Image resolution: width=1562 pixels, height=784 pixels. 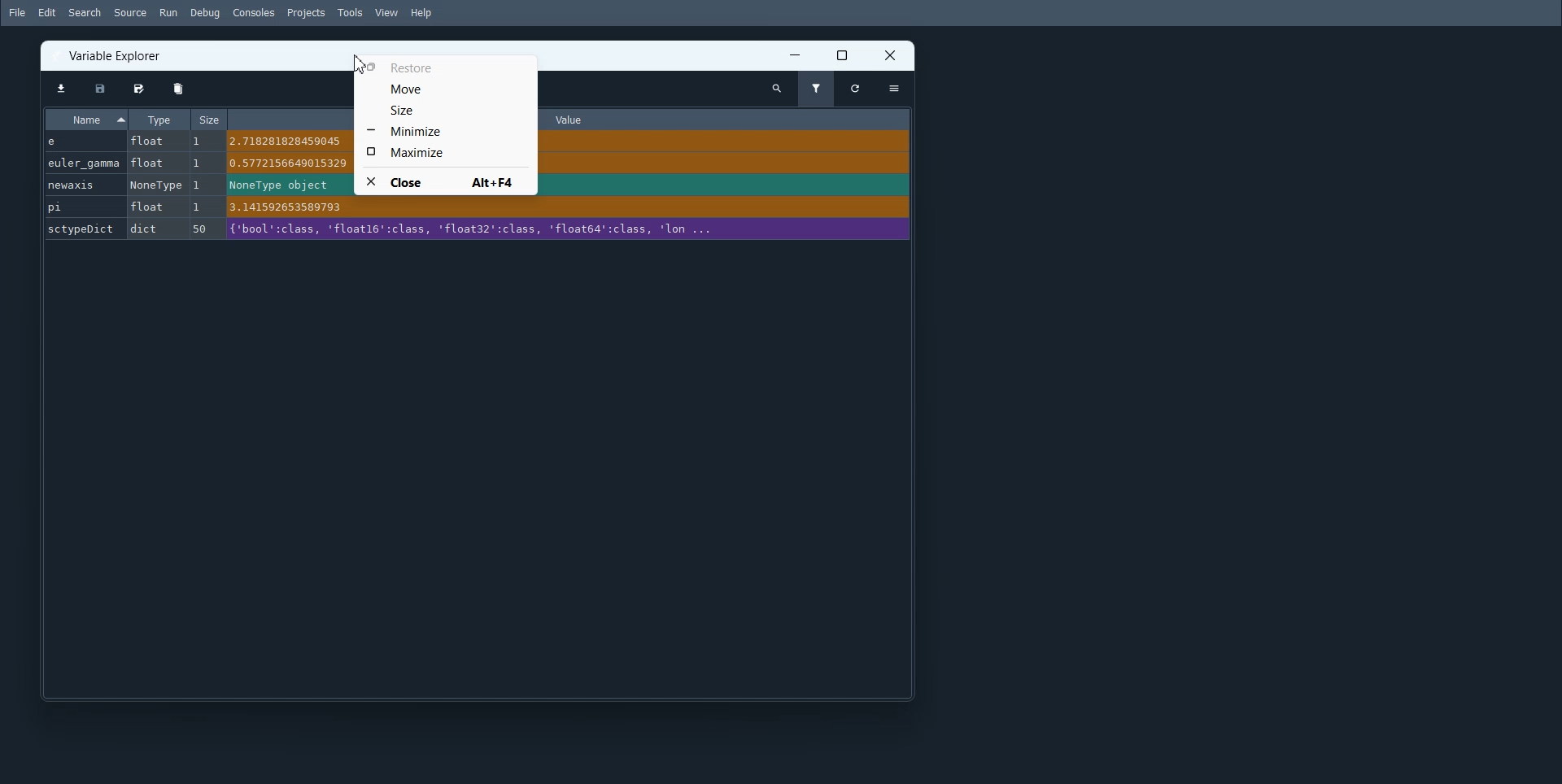 I want to click on Save data, so click(x=98, y=88).